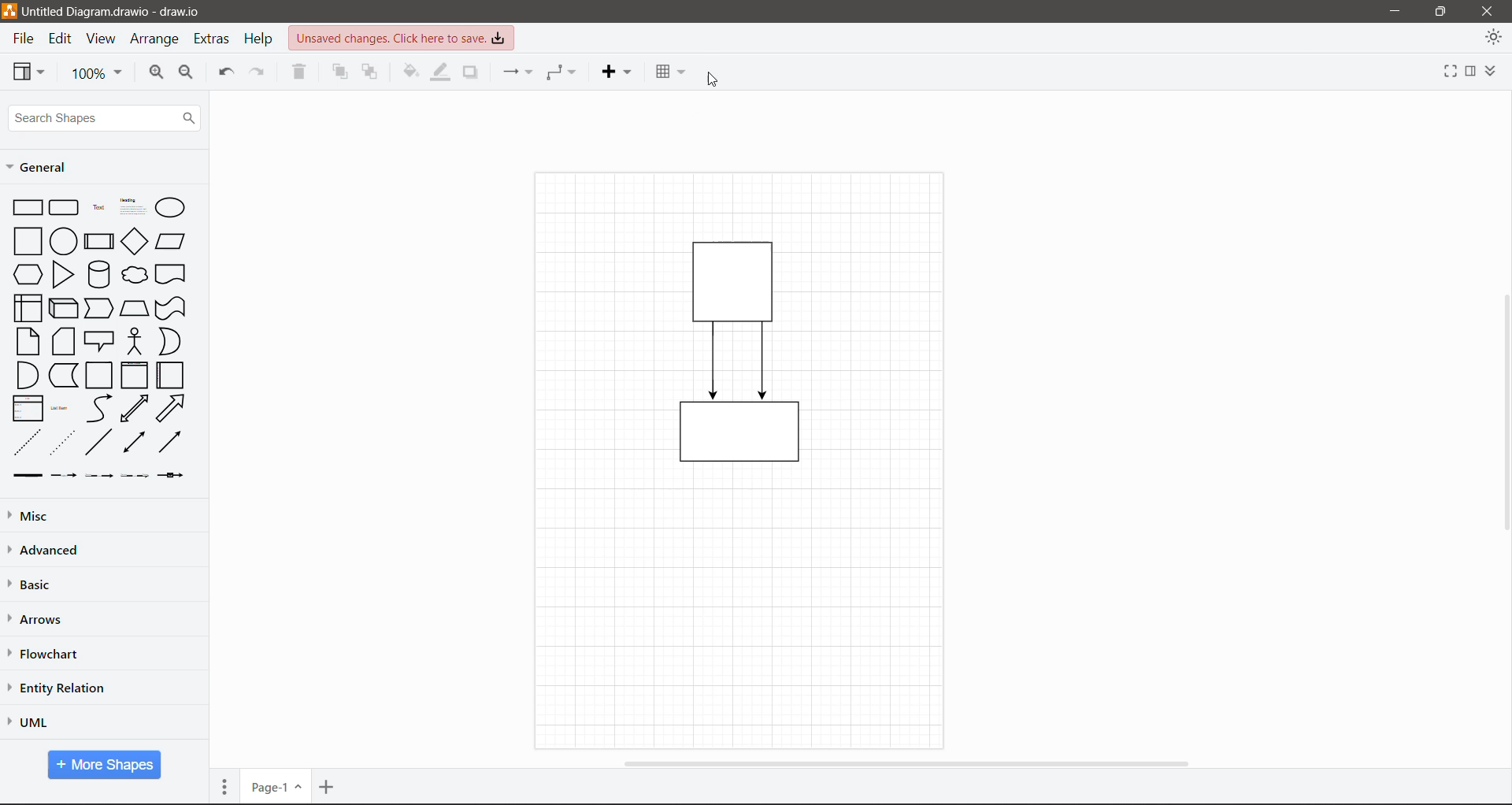 This screenshot has height=805, width=1512. I want to click on Pages, so click(224, 786).